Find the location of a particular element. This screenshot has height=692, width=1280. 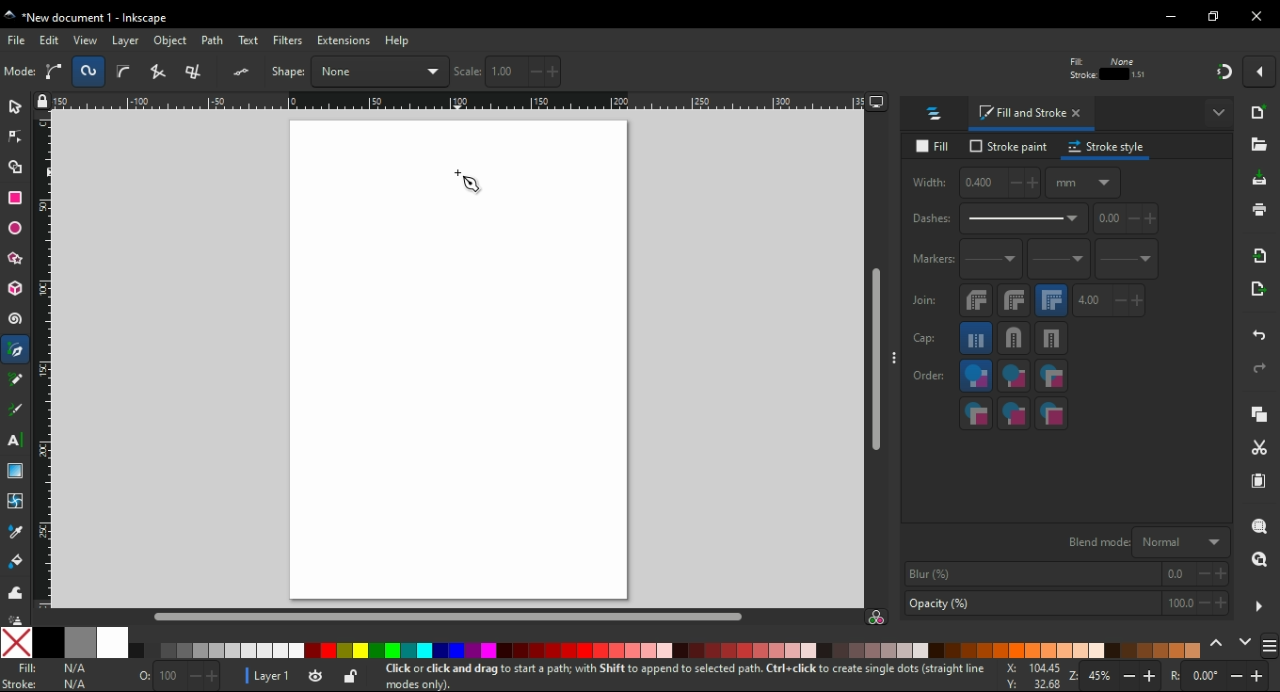

join is located at coordinates (924, 300).